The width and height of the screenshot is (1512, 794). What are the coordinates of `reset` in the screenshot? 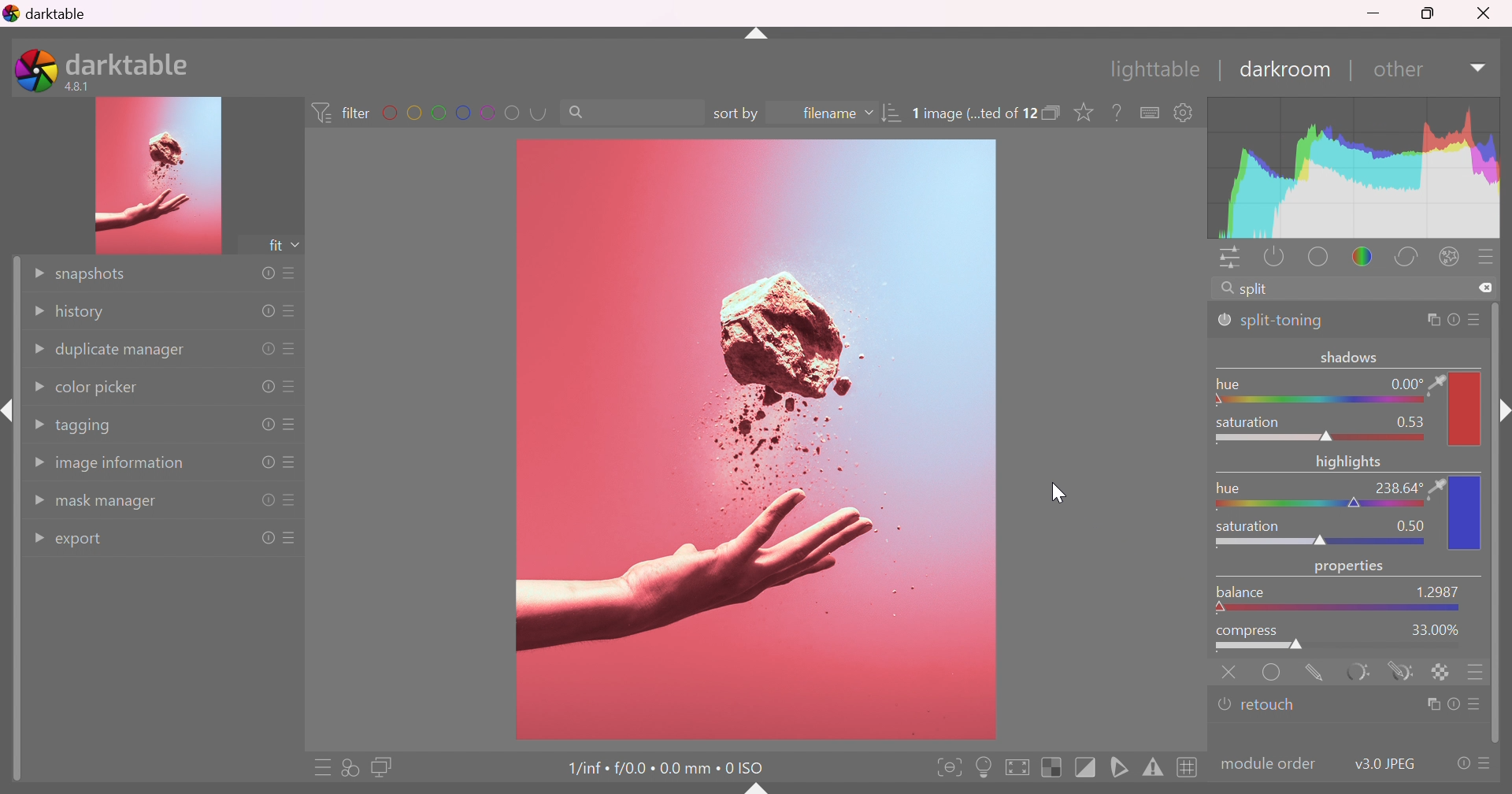 It's located at (264, 425).